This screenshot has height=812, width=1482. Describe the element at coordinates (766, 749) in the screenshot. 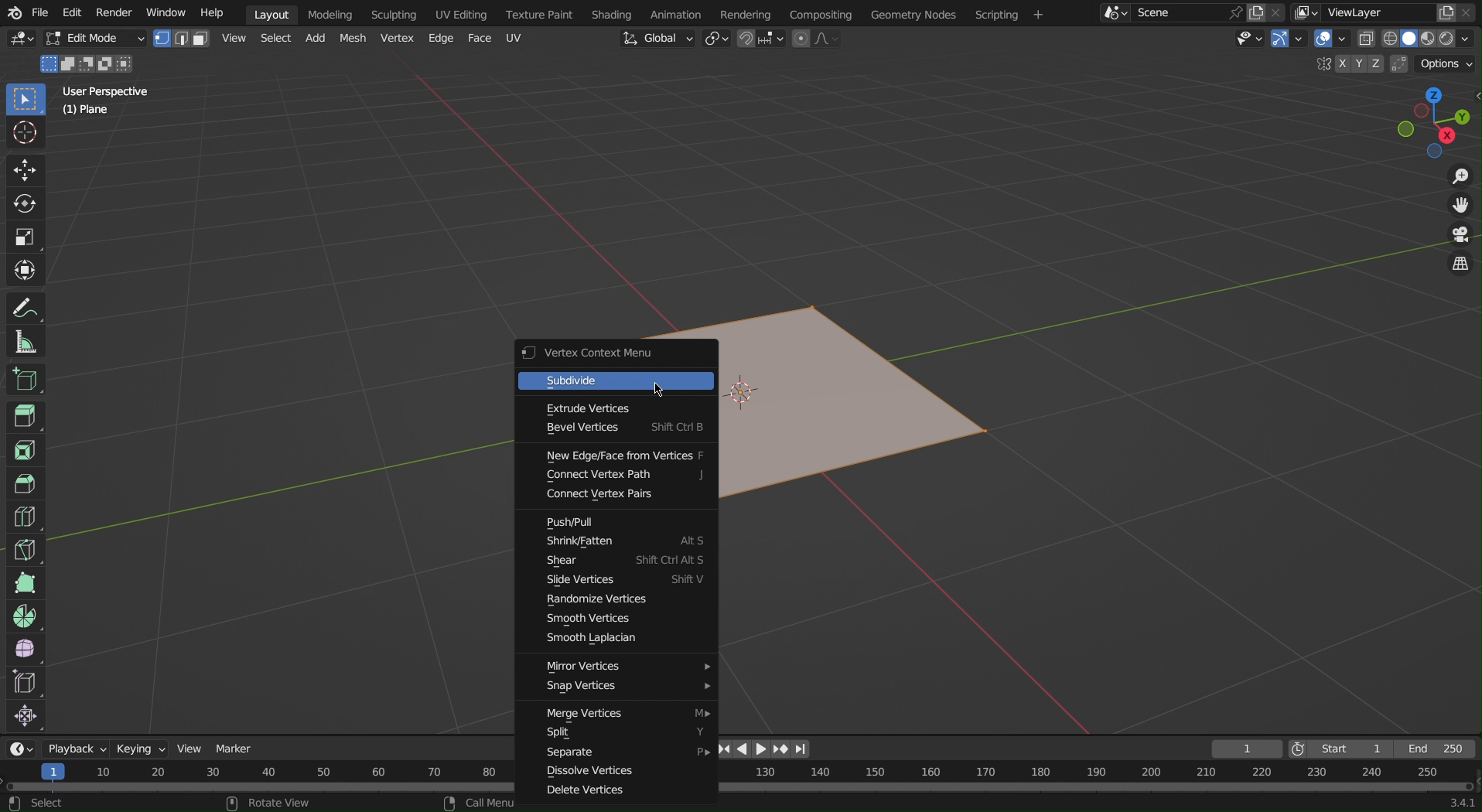

I see `Controls` at that location.